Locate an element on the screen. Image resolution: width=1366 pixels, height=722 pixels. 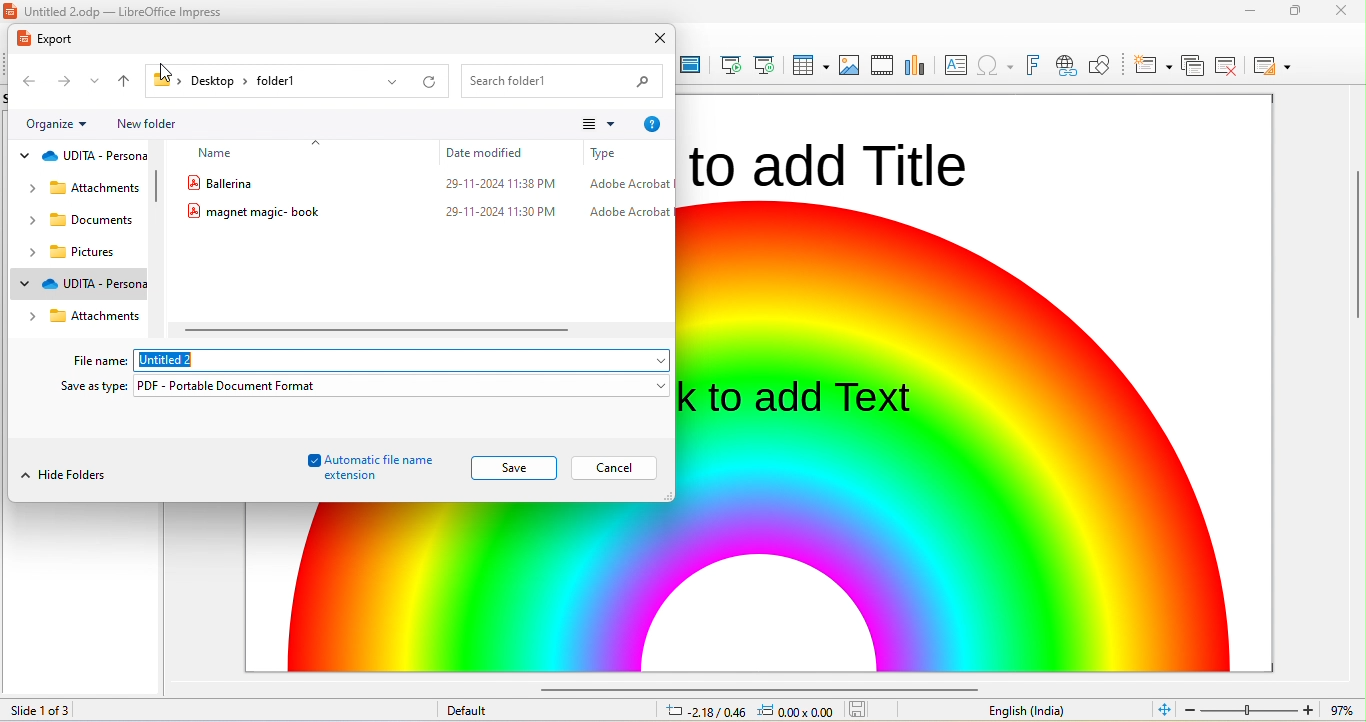
drop down is located at coordinates (26, 187).